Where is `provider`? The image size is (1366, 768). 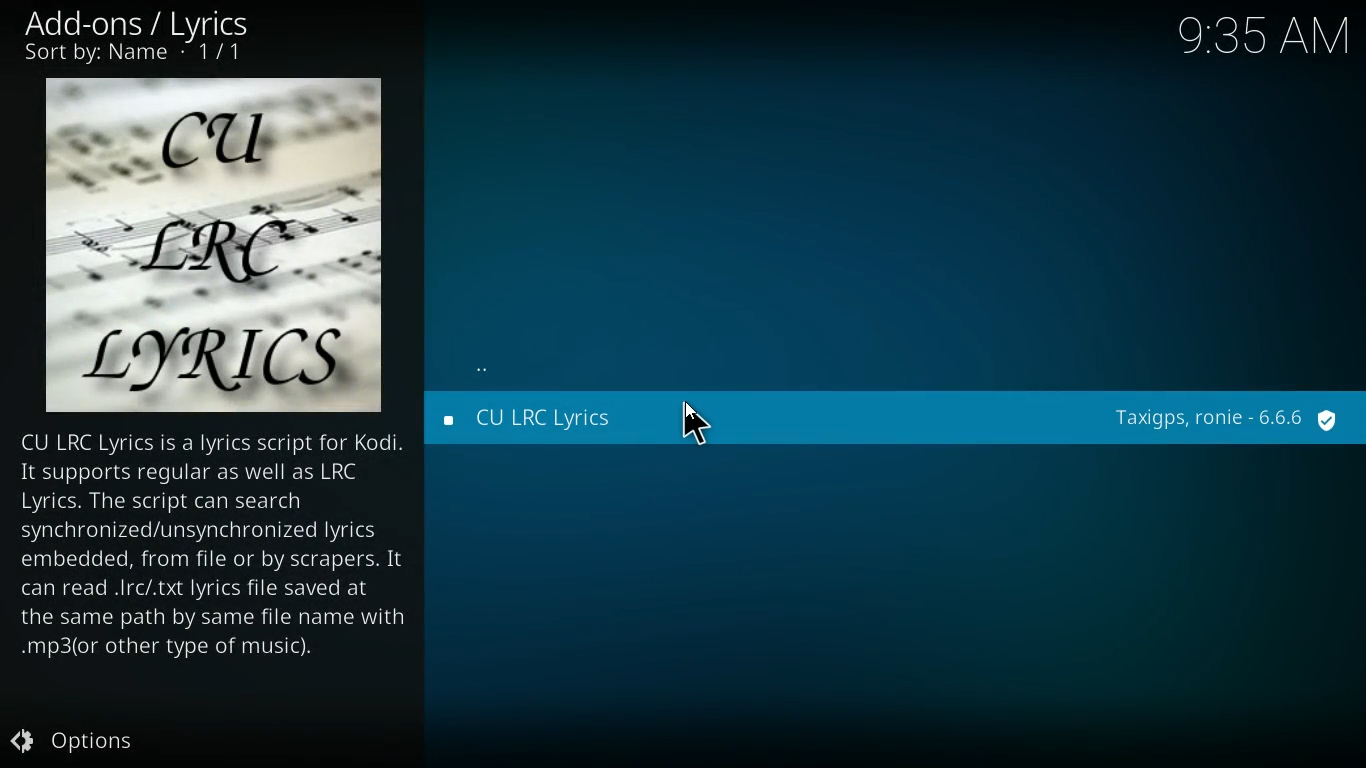
provider is located at coordinates (1226, 420).